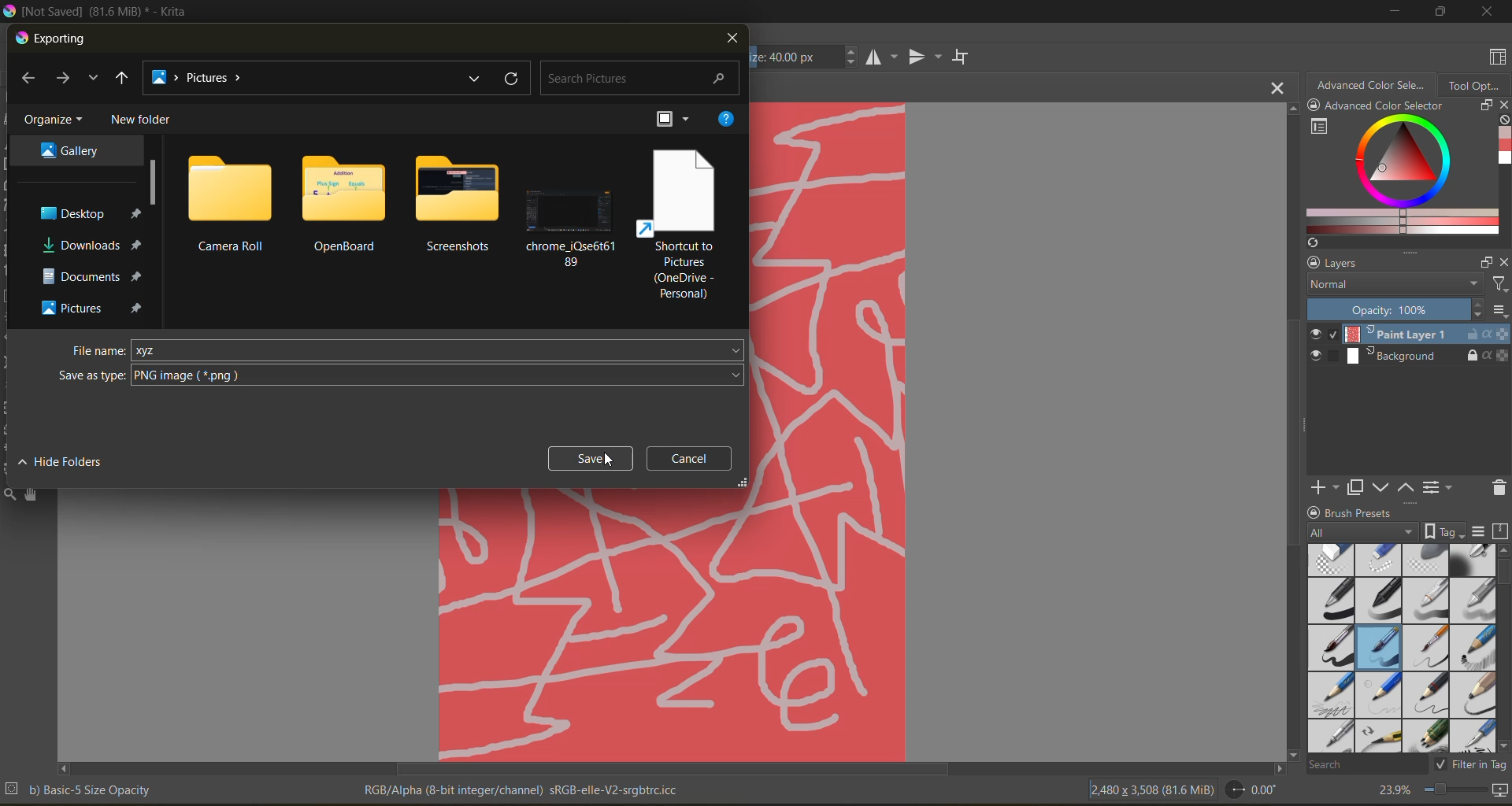  I want to click on help, so click(726, 119).